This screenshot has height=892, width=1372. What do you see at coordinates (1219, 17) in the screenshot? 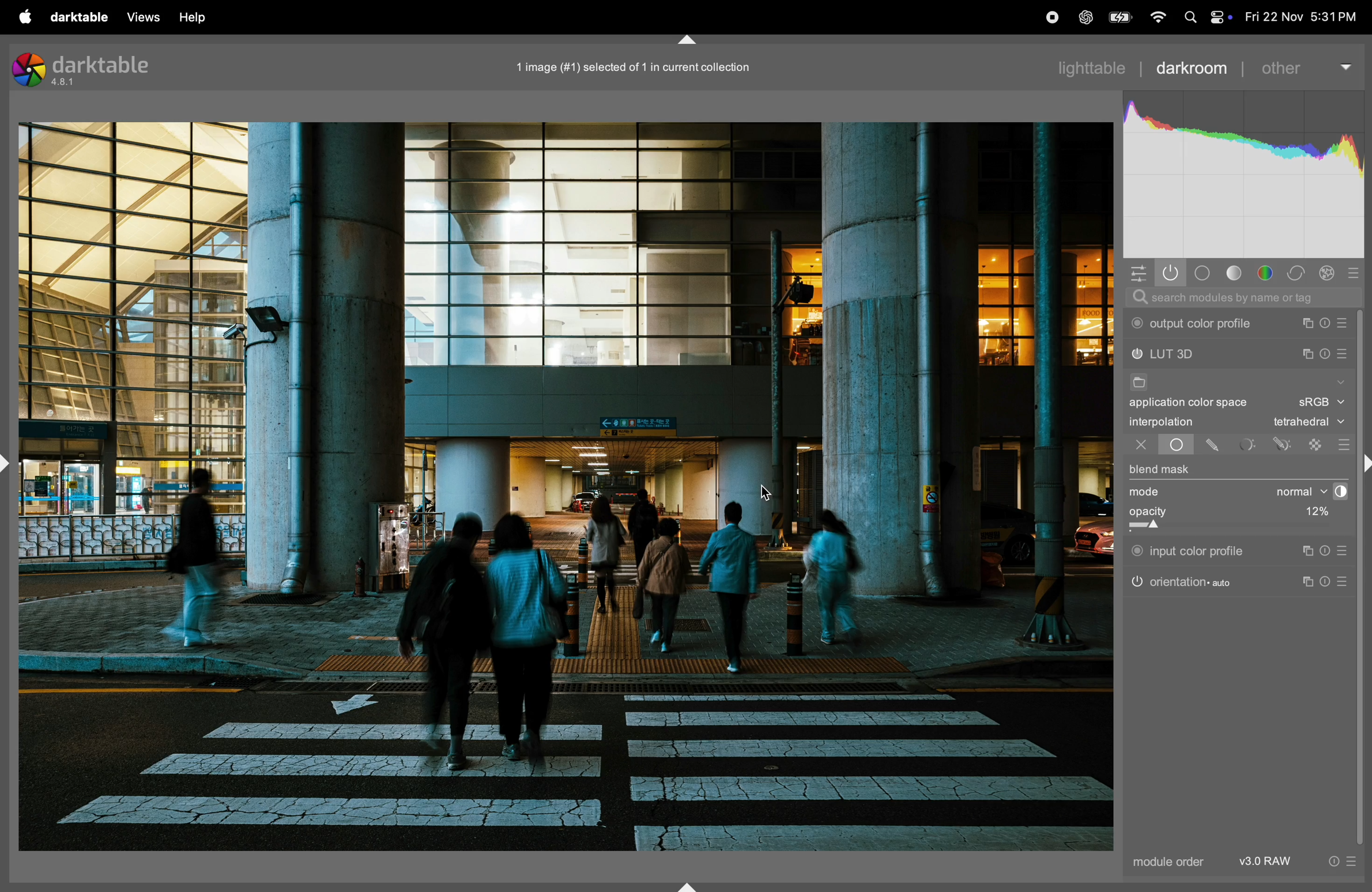
I see `apple widgets` at bounding box center [1219, 17].